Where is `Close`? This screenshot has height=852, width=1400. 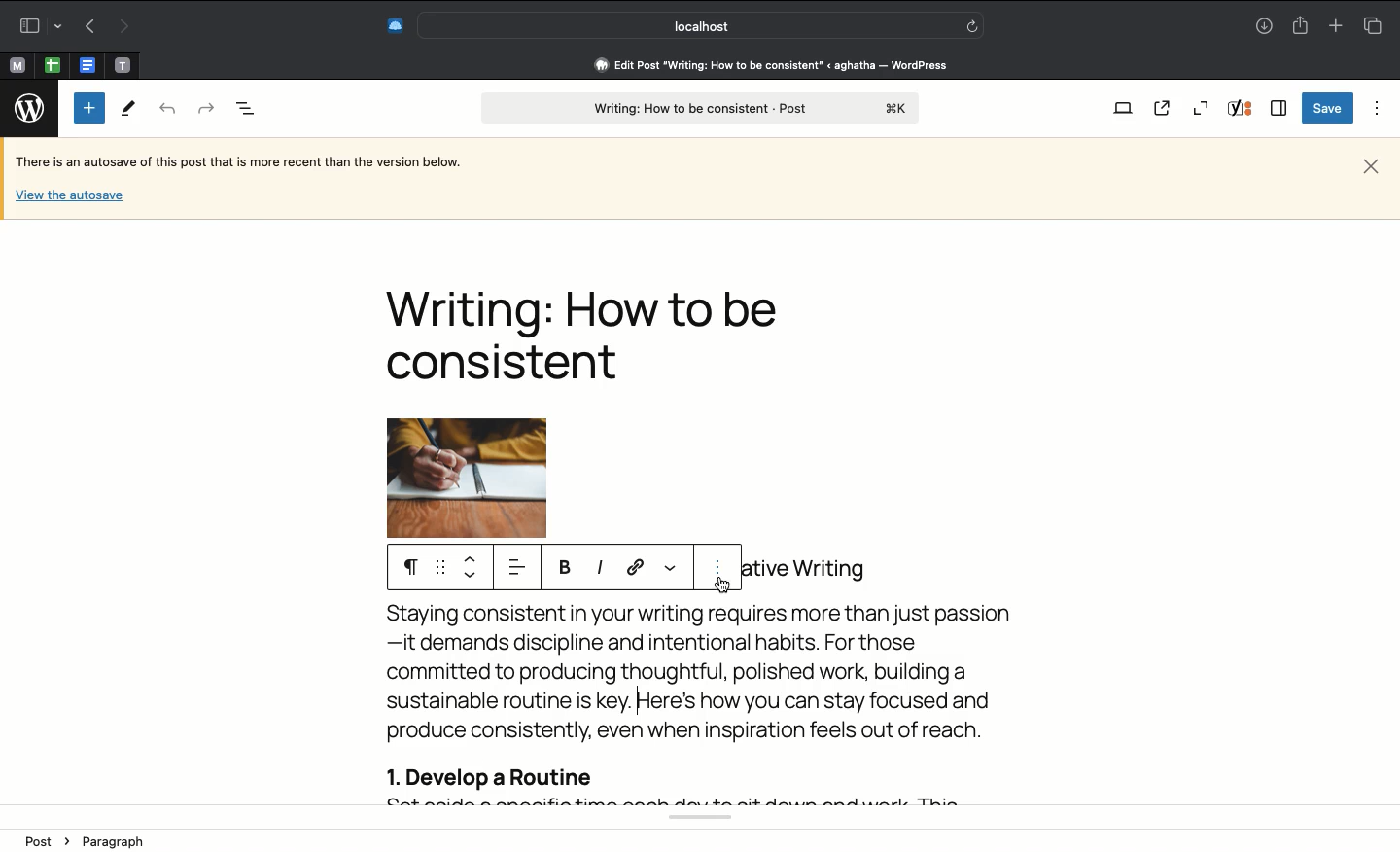
Close is located at coordinates (1371, 164).